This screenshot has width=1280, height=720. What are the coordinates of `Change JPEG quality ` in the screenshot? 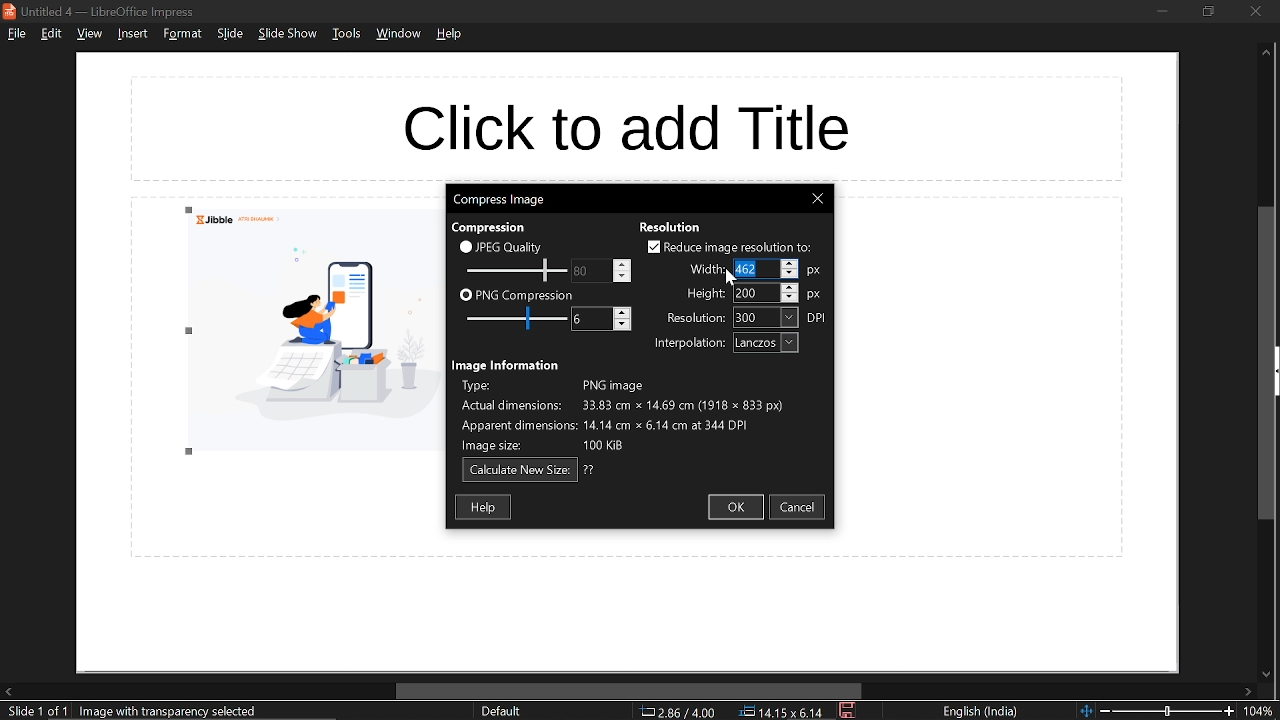 It's located at (516, 271).